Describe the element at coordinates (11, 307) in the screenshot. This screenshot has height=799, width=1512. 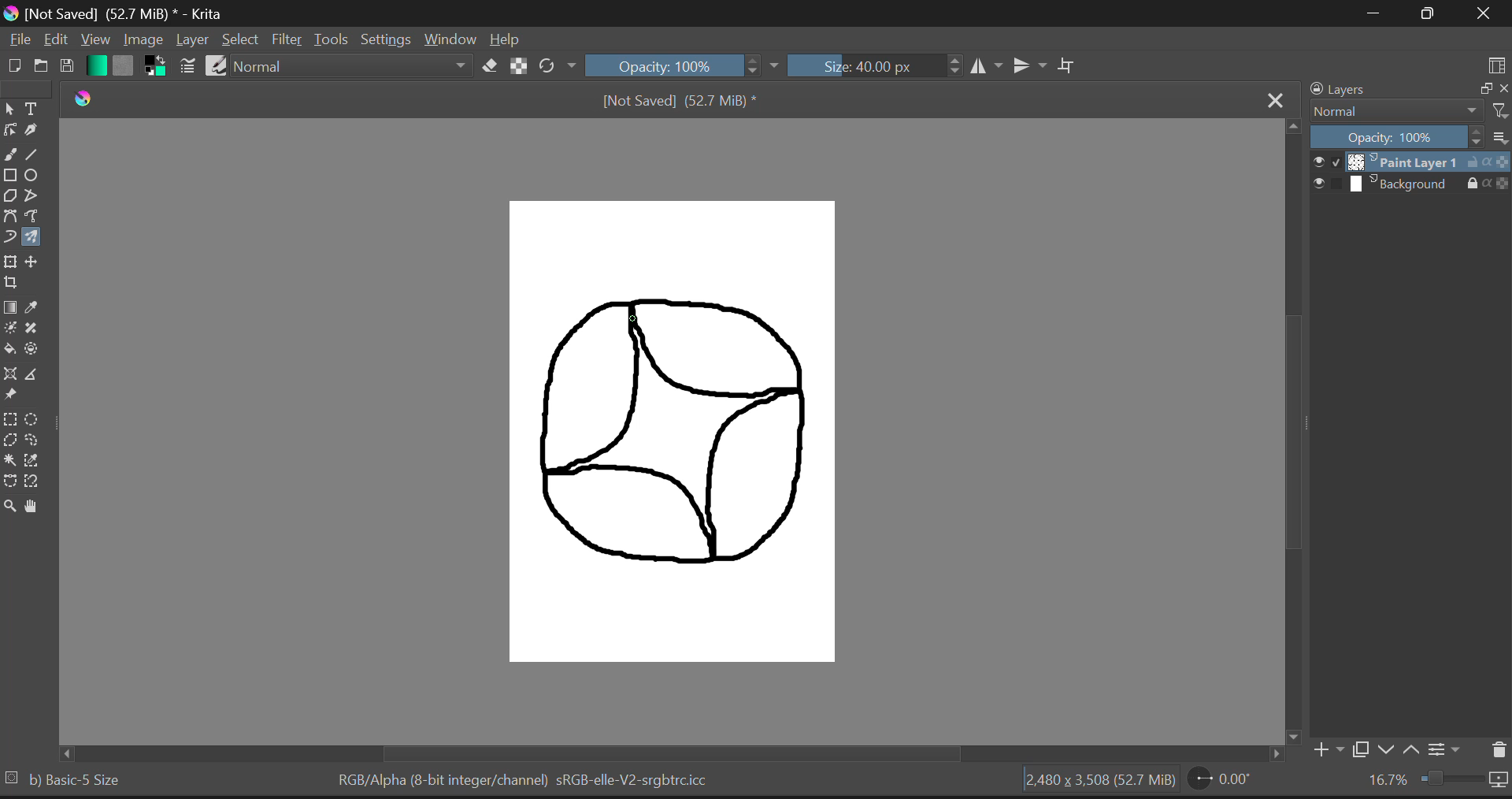
I see `Gradient Fill` at that location.